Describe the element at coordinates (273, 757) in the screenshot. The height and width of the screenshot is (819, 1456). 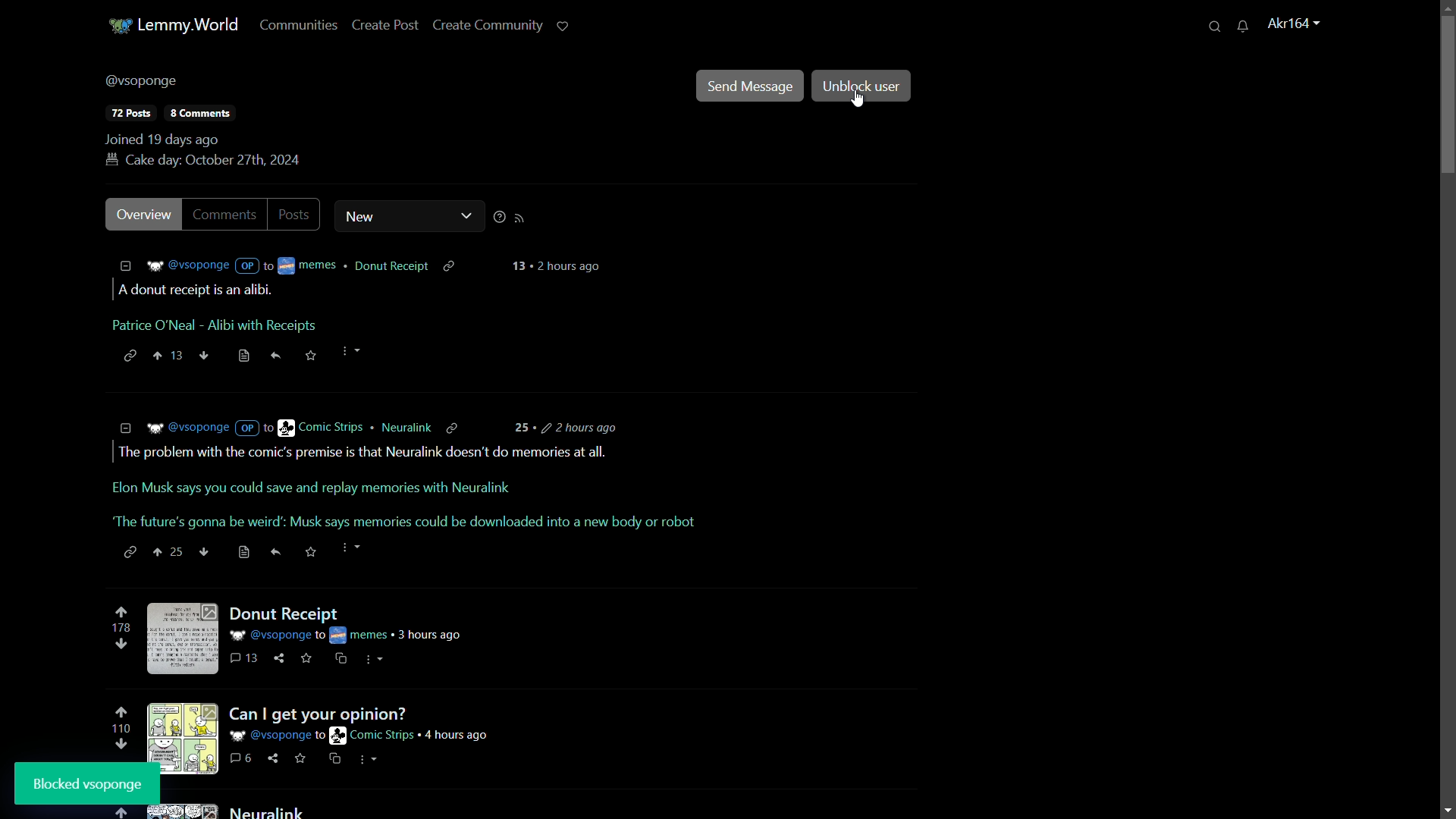
I see `share` at that location.